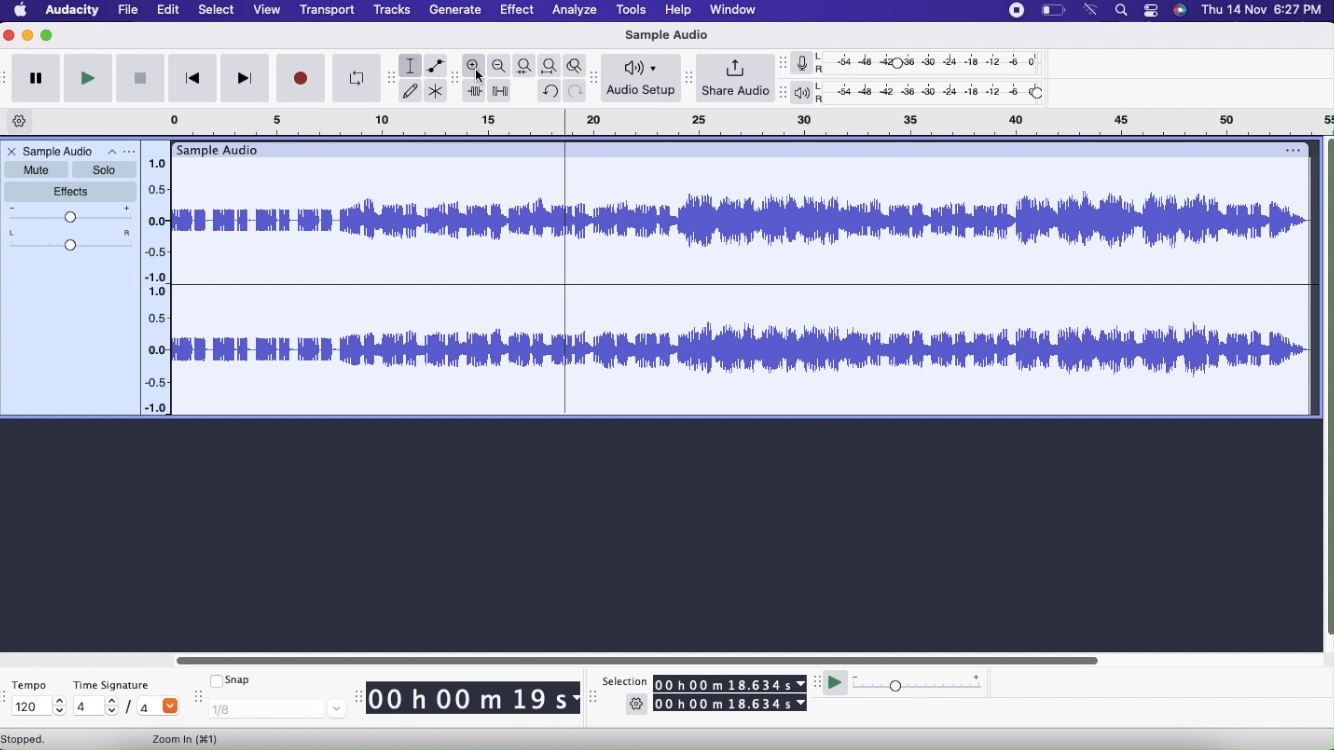 Image resolution: width=1334 pixels, height=750 pixels. I want to click on Battery, so click(1051, 11).